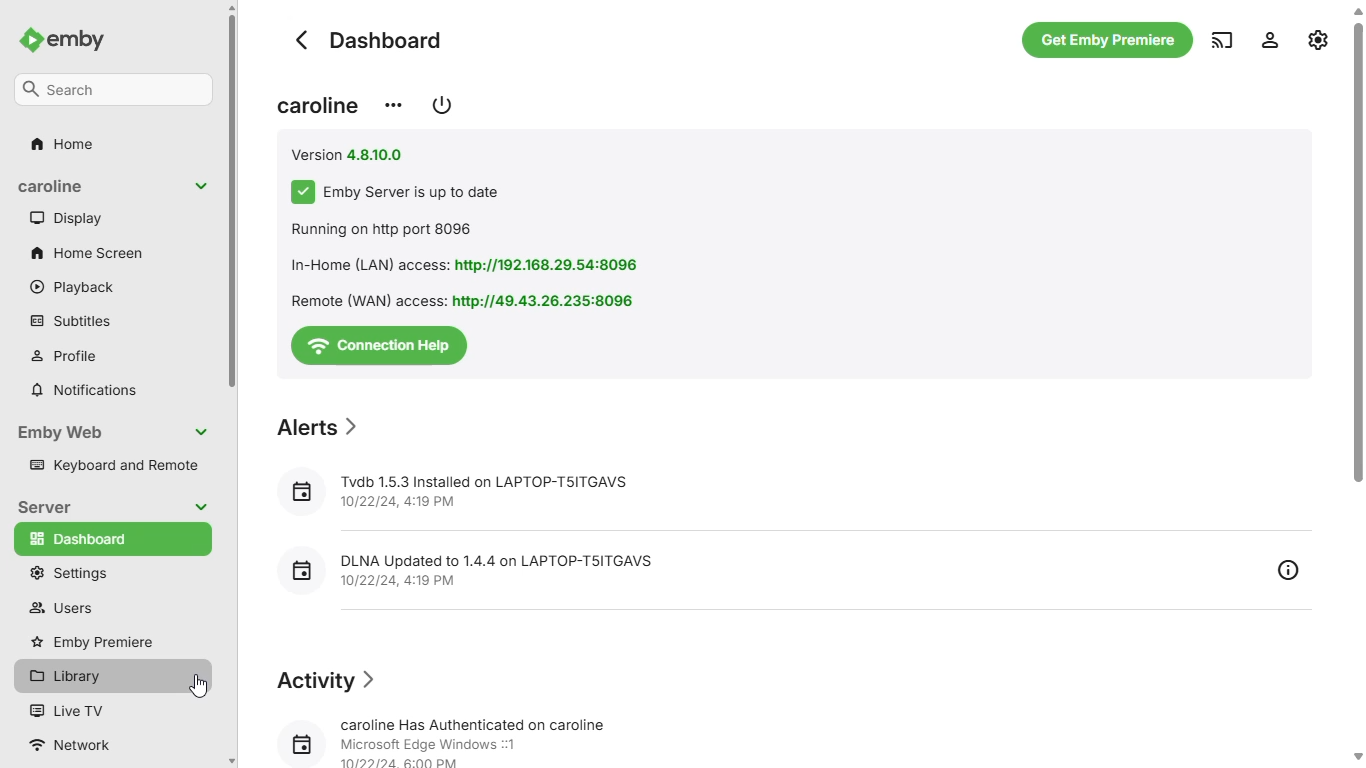 The width and height of the screenshot is (1366, 768). Describe the element at coordinates (69, 320) in the screenshot. I see `subtitles` at that location.